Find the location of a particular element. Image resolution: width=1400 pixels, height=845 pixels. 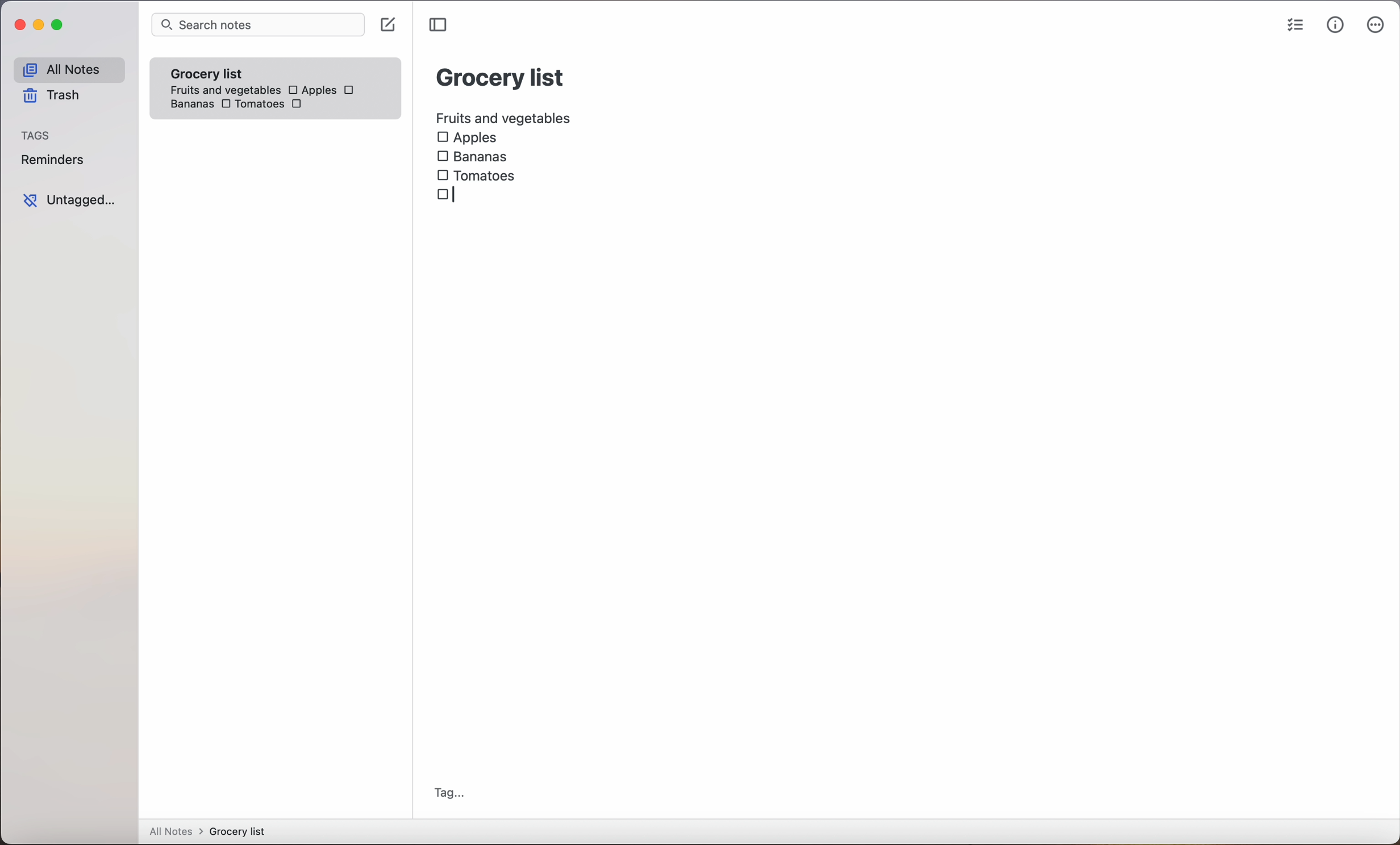

tags is located at coordinates (37, 136).